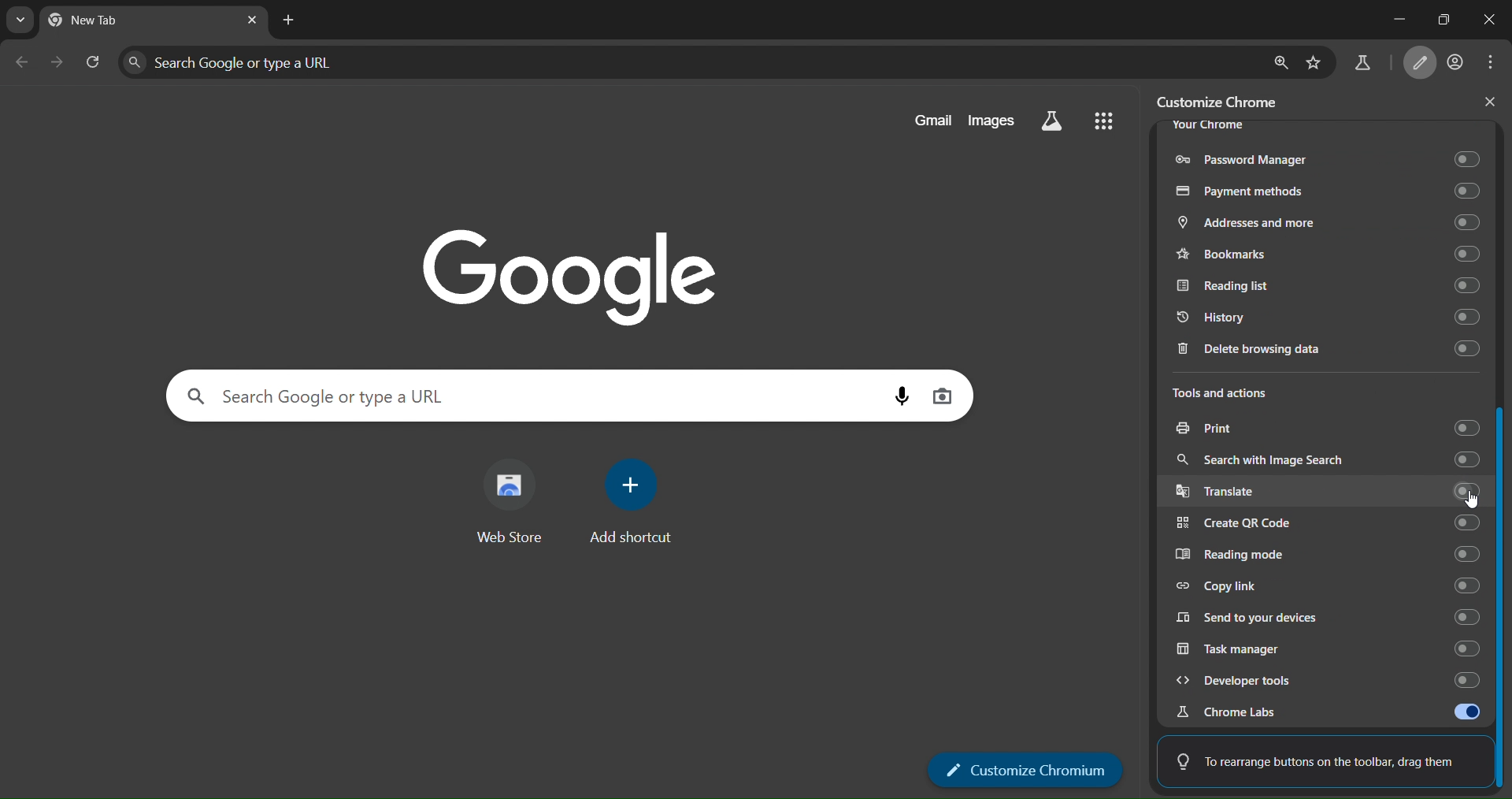 The width and height of the screenshot is (1512, 799). Describe the element at coordinates (1361, 63) in the screenshot. I see `search labs` at that location.